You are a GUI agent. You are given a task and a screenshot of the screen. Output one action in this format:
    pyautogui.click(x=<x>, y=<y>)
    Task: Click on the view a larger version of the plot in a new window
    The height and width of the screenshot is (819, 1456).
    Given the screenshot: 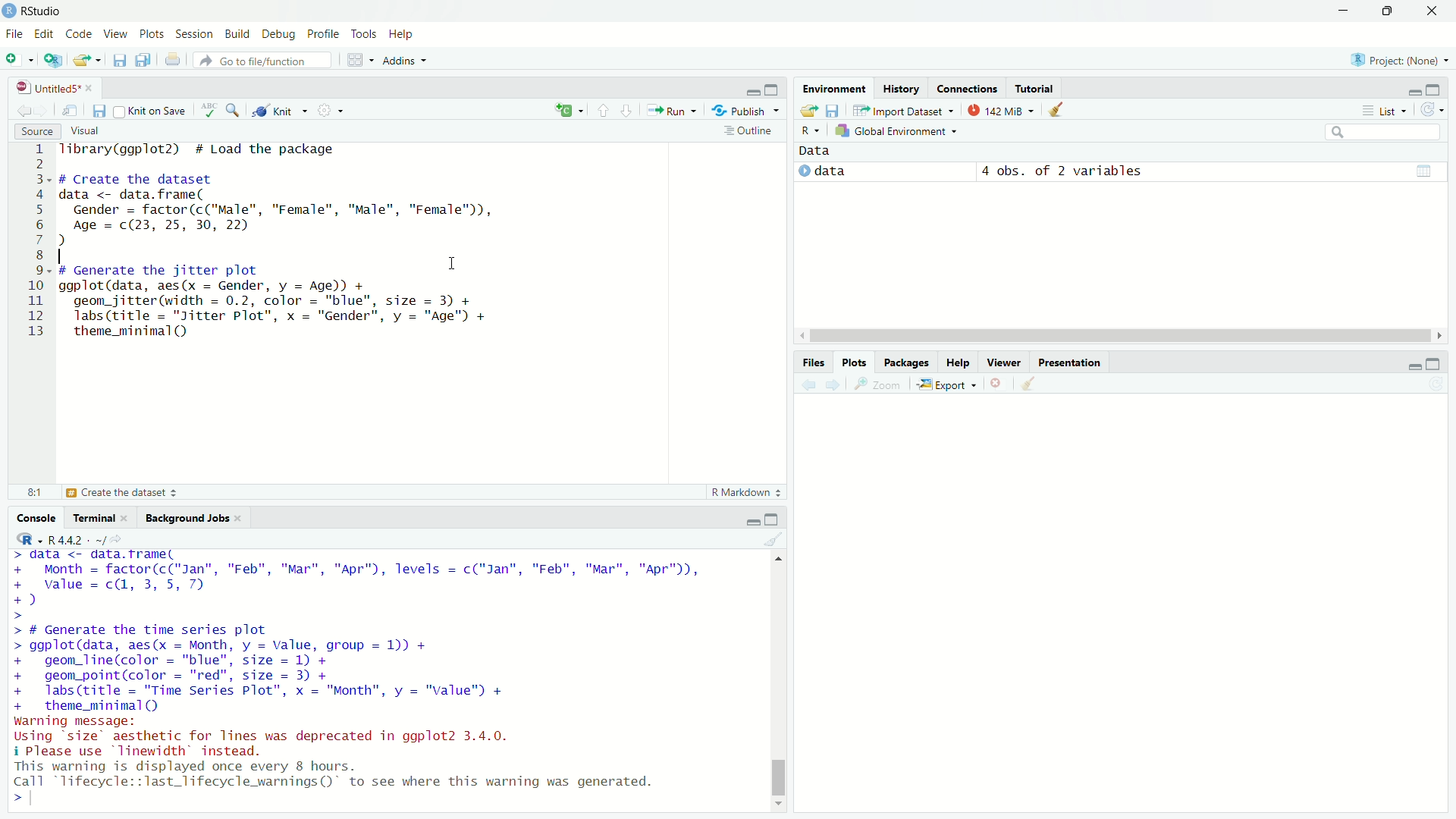 What is the action you would take?
    pyautogui.click(x=883, y=385)
    